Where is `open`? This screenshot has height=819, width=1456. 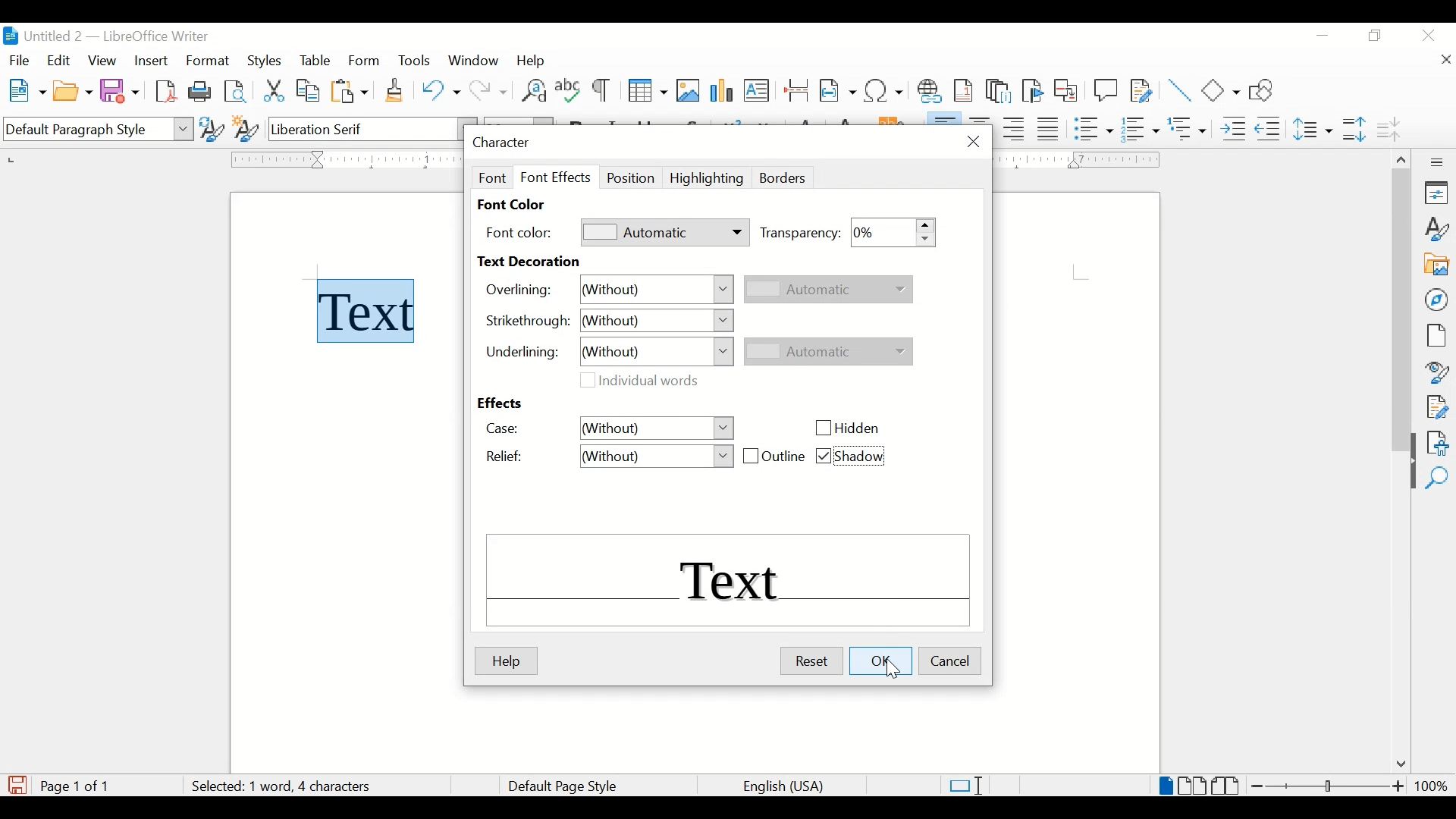
open is located at coordinates (72, 92).